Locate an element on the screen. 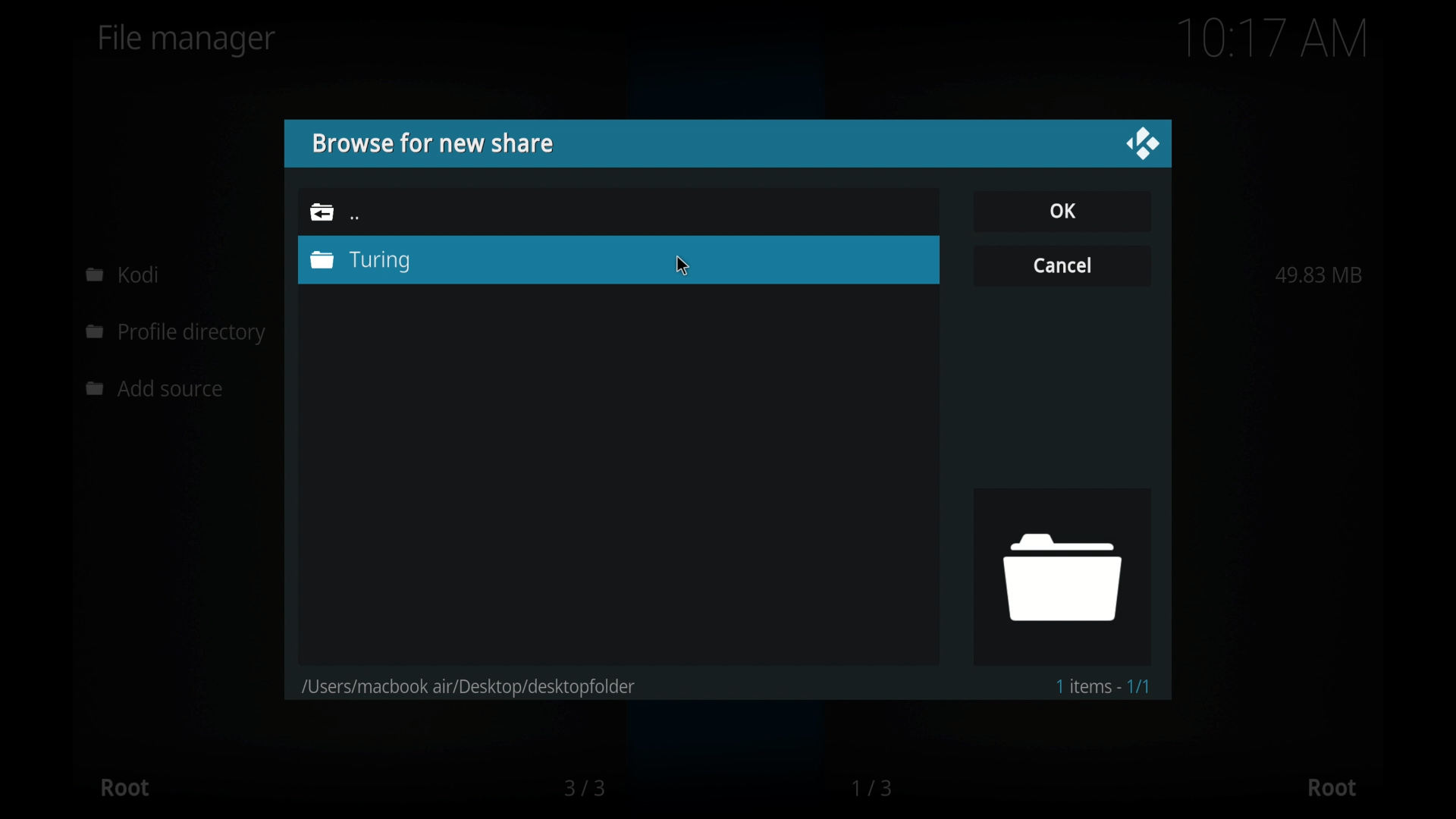 The width and height of the screenshot is (1456, 819). /Users/machook air/Desktop/desktopfolder is located at coordinates (470, 684).